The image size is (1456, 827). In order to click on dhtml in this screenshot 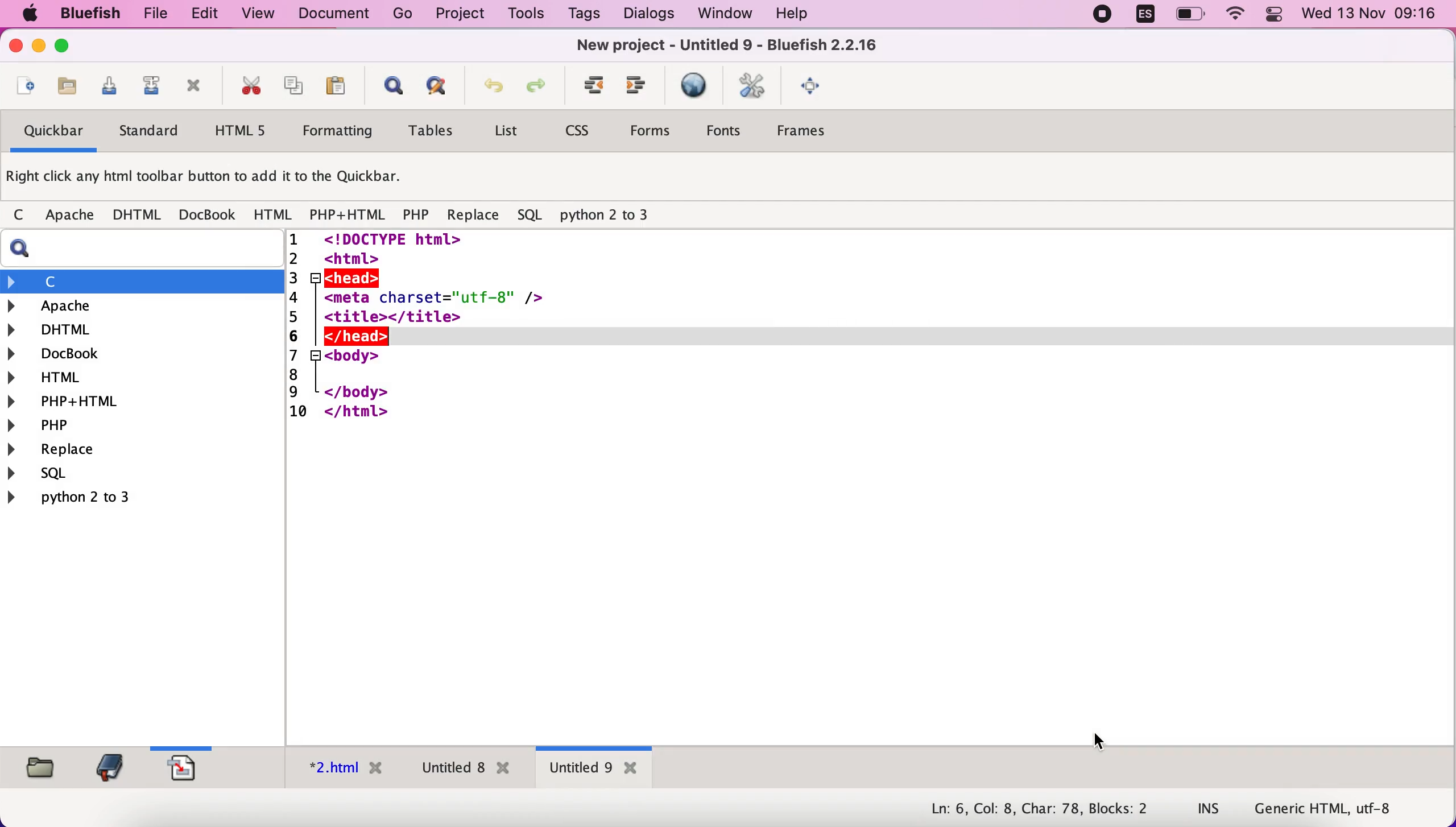, I will do `click(143, 328)`.